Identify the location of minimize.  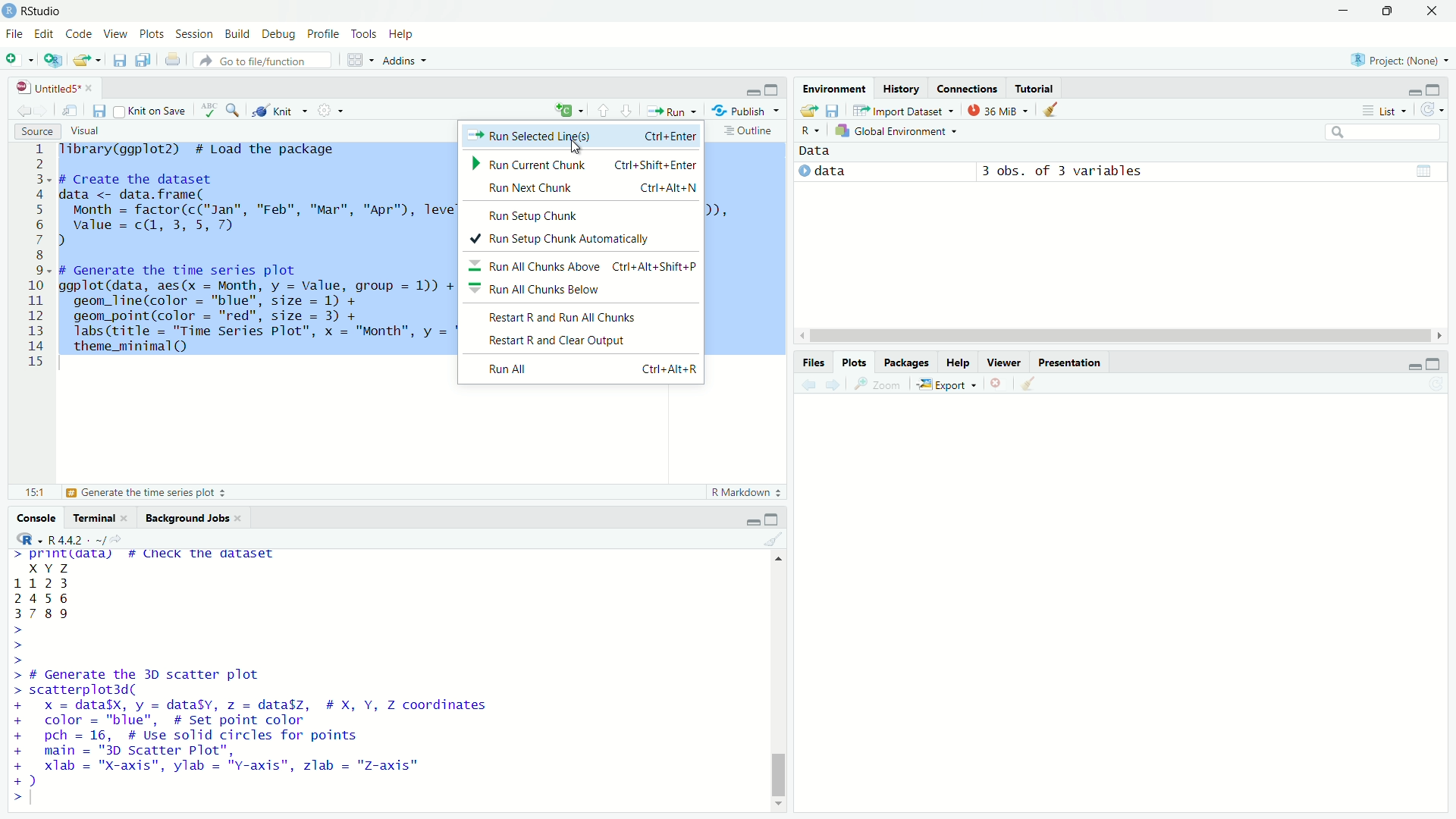
(1408, 362).